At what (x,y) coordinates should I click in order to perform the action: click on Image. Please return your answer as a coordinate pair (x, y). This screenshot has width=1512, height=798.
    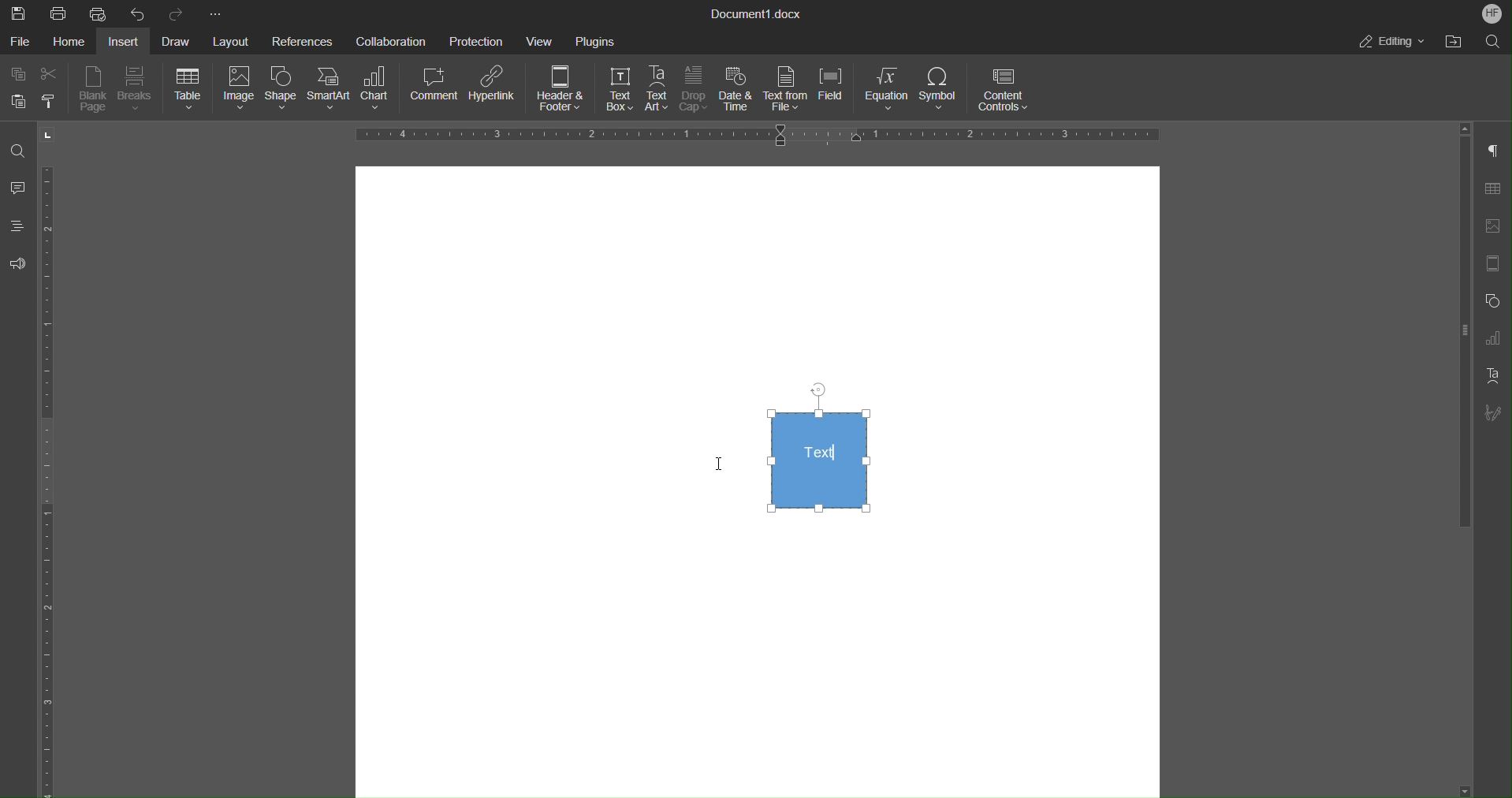
    Looking at the image, I should click on (236, 91).